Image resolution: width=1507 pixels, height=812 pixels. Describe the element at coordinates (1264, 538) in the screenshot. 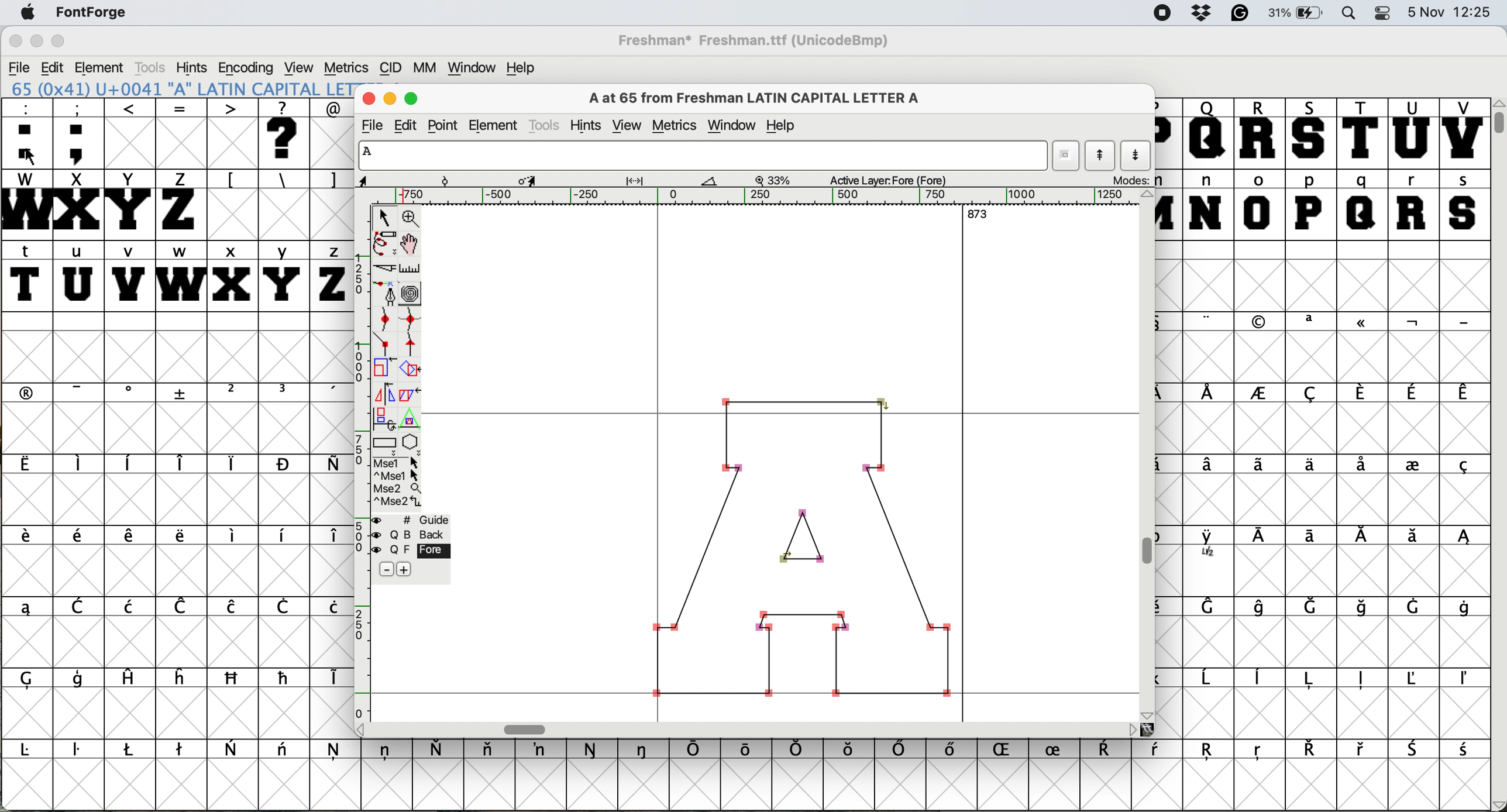

I see `symbol` at that location.